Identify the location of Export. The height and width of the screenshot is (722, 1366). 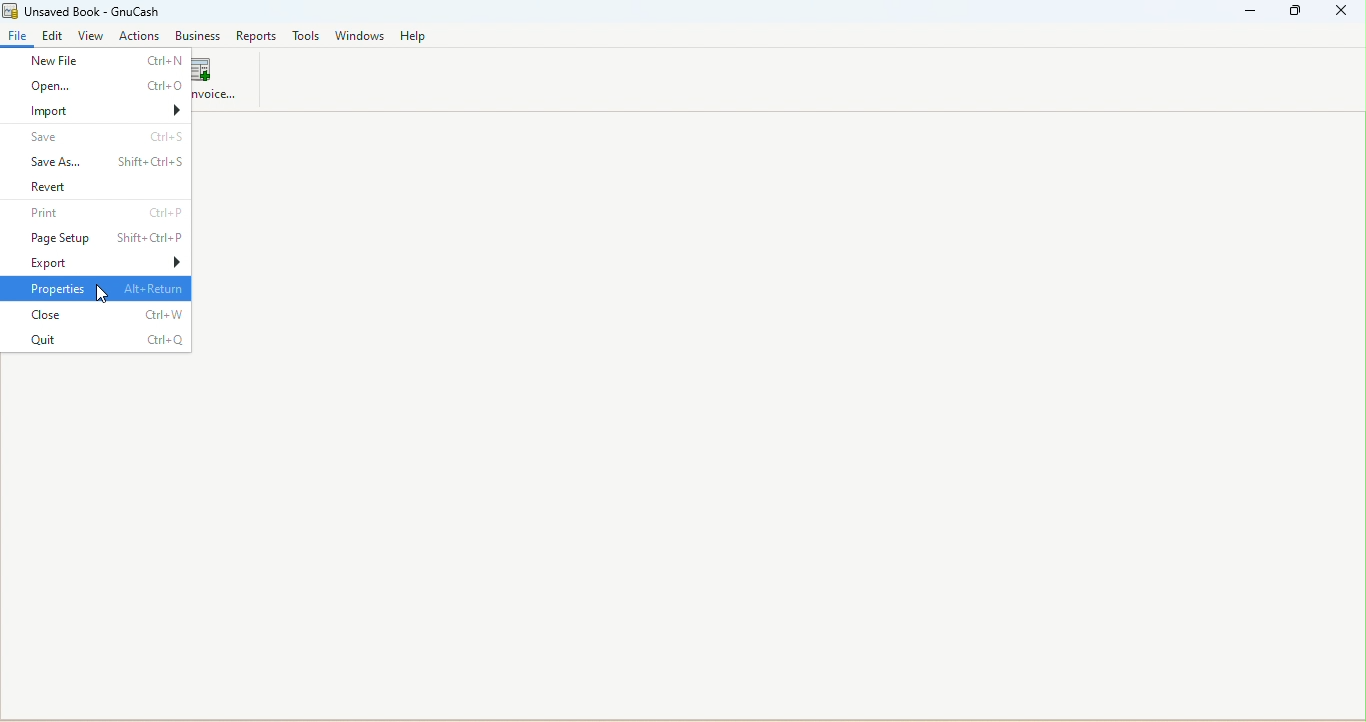
(95, 262).